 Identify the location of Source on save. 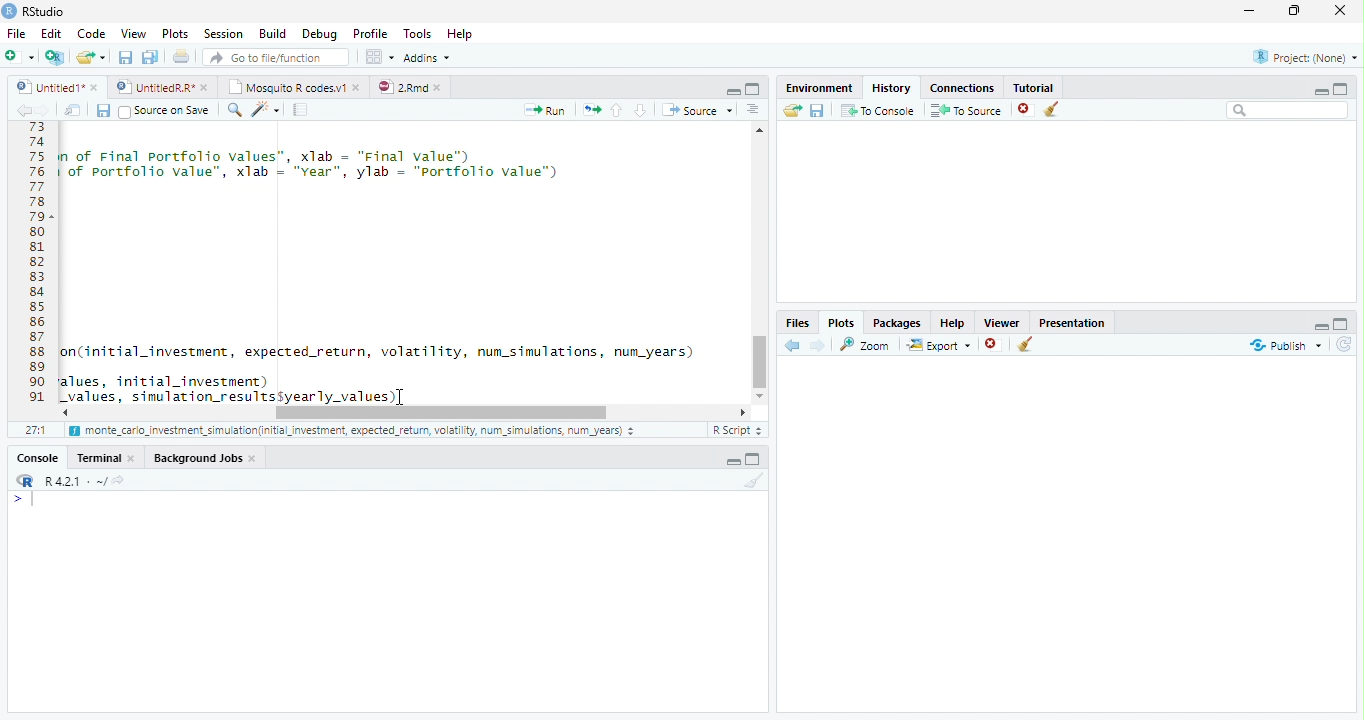
(166, 111).